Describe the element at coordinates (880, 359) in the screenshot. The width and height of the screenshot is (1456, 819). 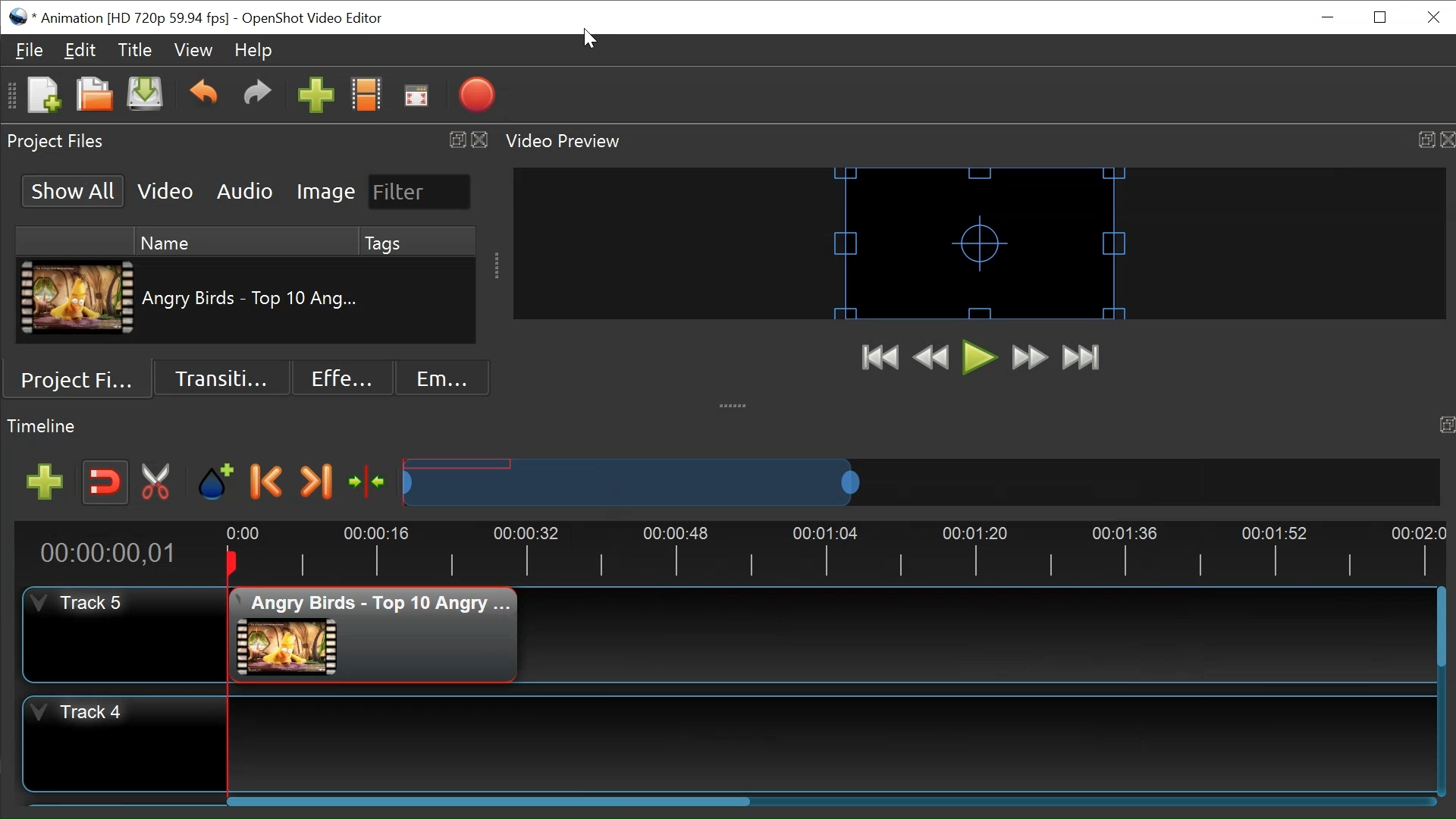
I see `Jump to Start` at that location.